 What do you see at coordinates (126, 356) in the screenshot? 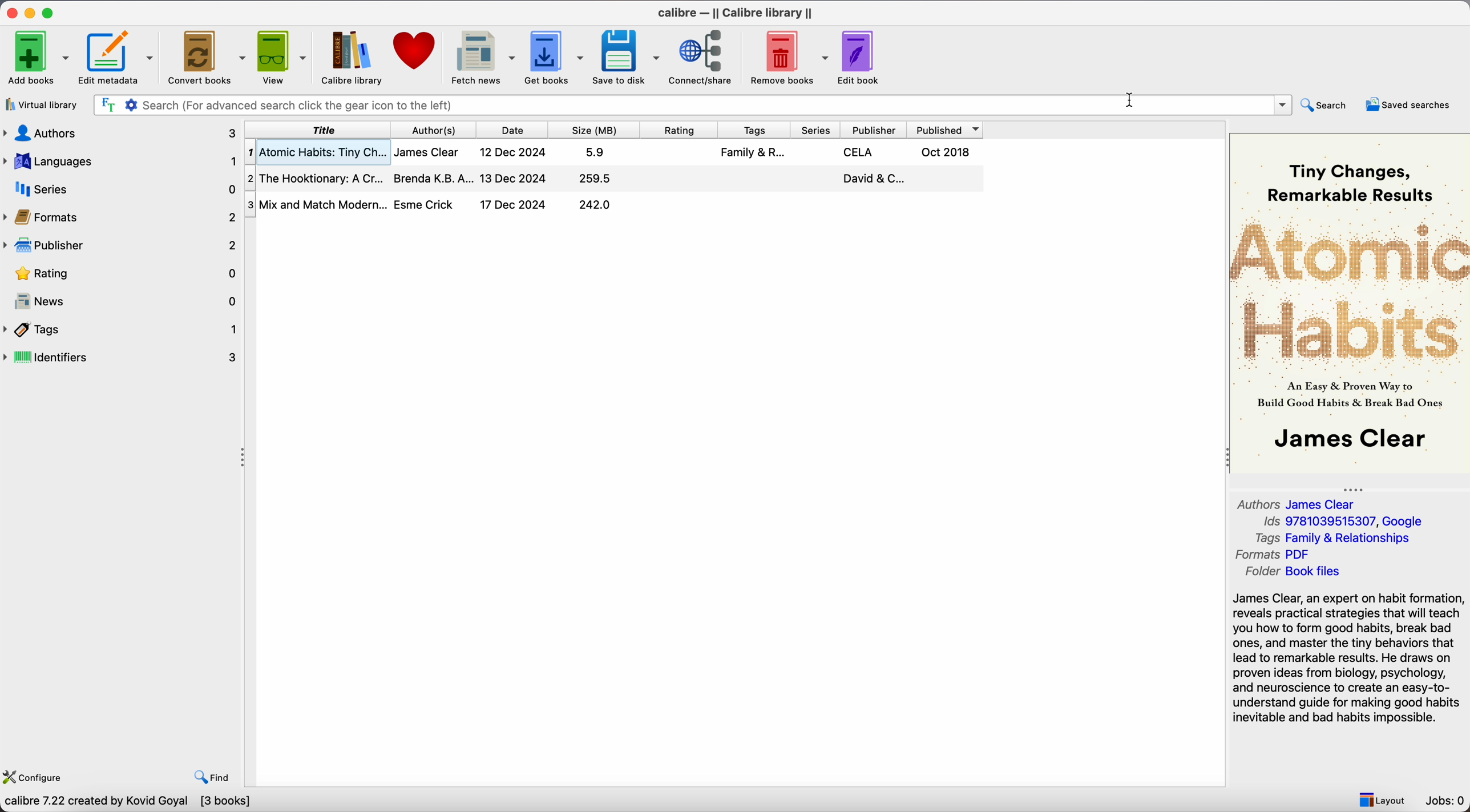
I see `identifiers` at bounding box center [126, 356].